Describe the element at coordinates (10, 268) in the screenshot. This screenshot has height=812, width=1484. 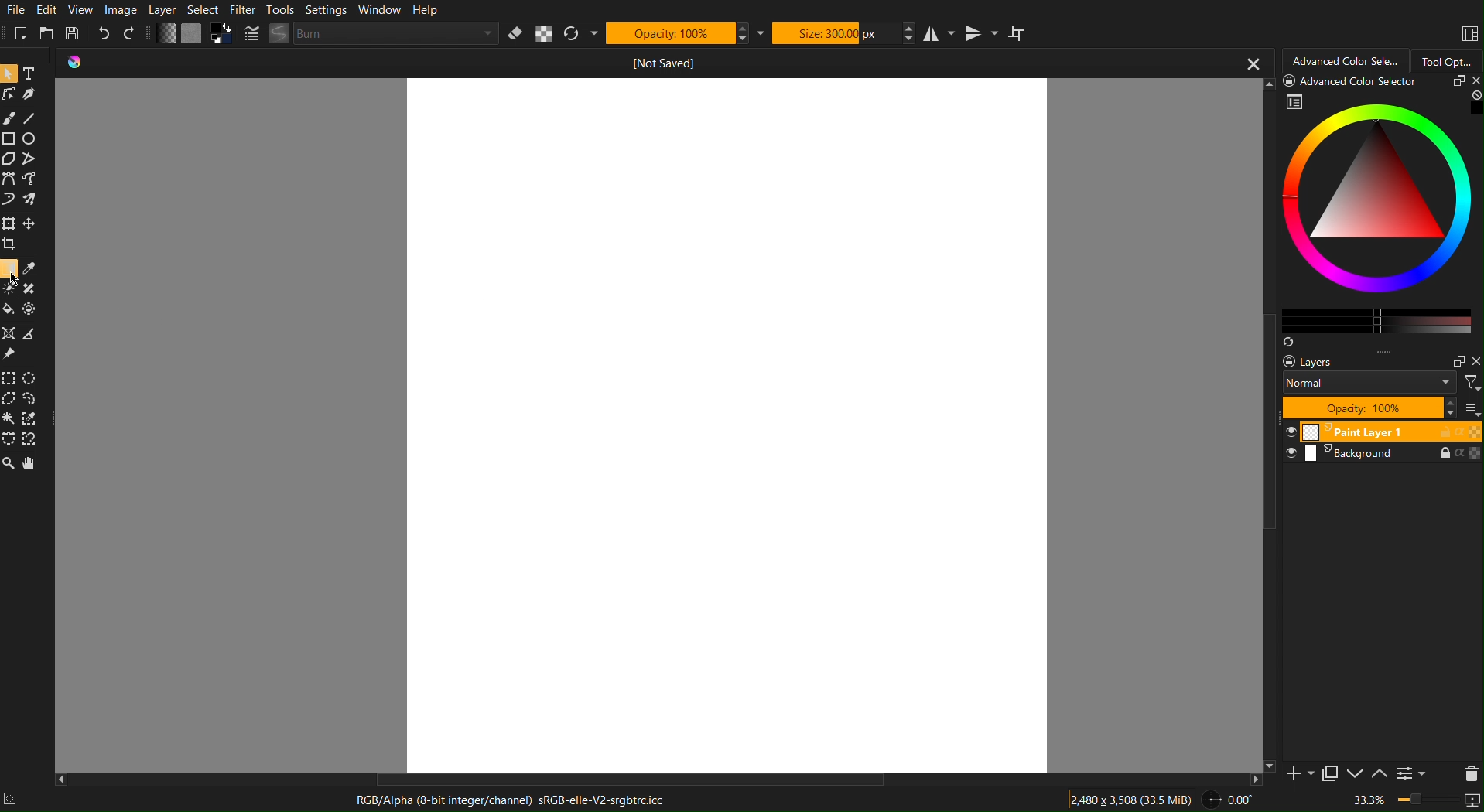
I see `Gradient Tool` at that location.